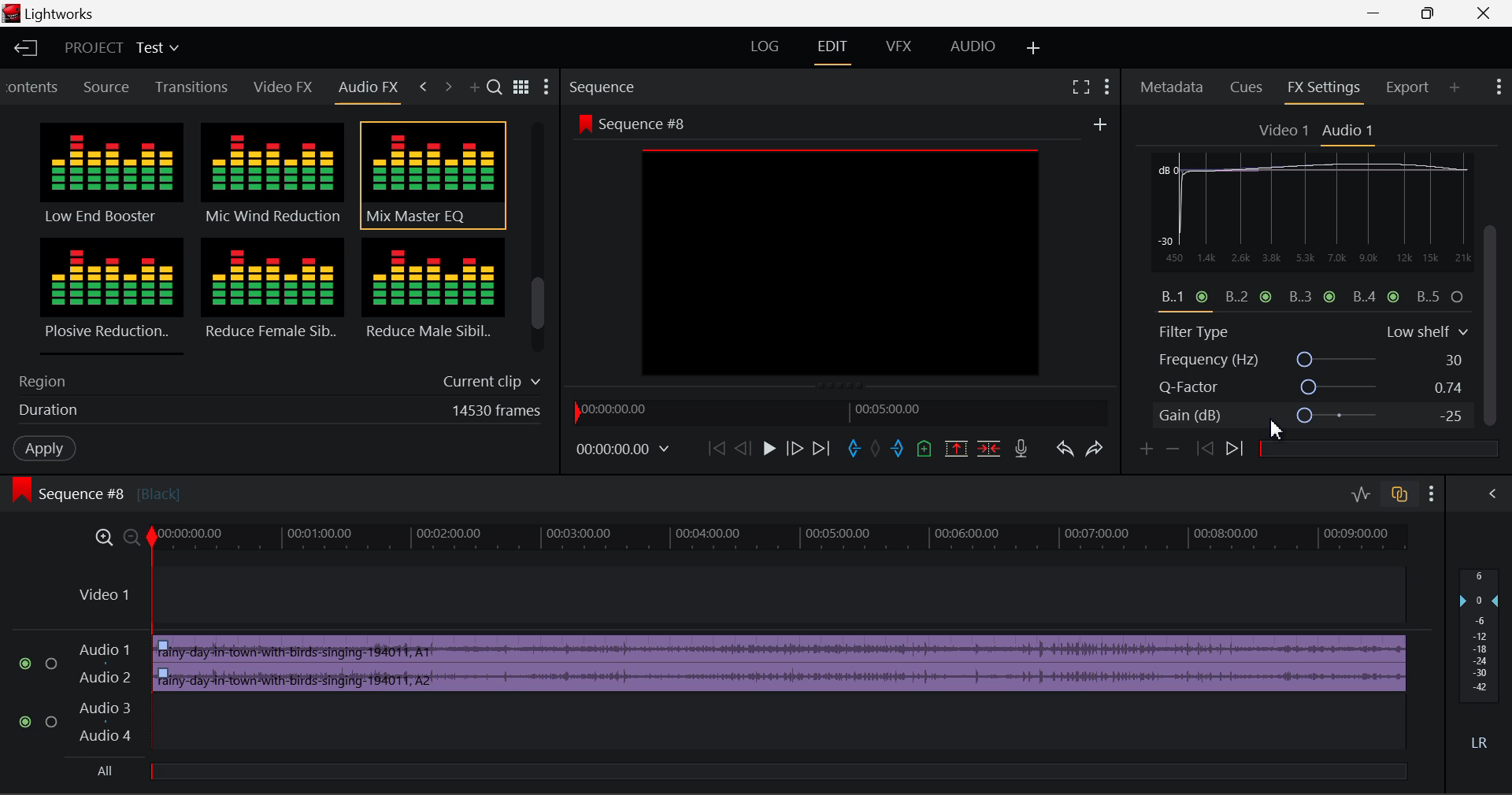  Describe the element at coordinates (106, 538) in the screenshot. I see `Timeline Zoom In` at that location.